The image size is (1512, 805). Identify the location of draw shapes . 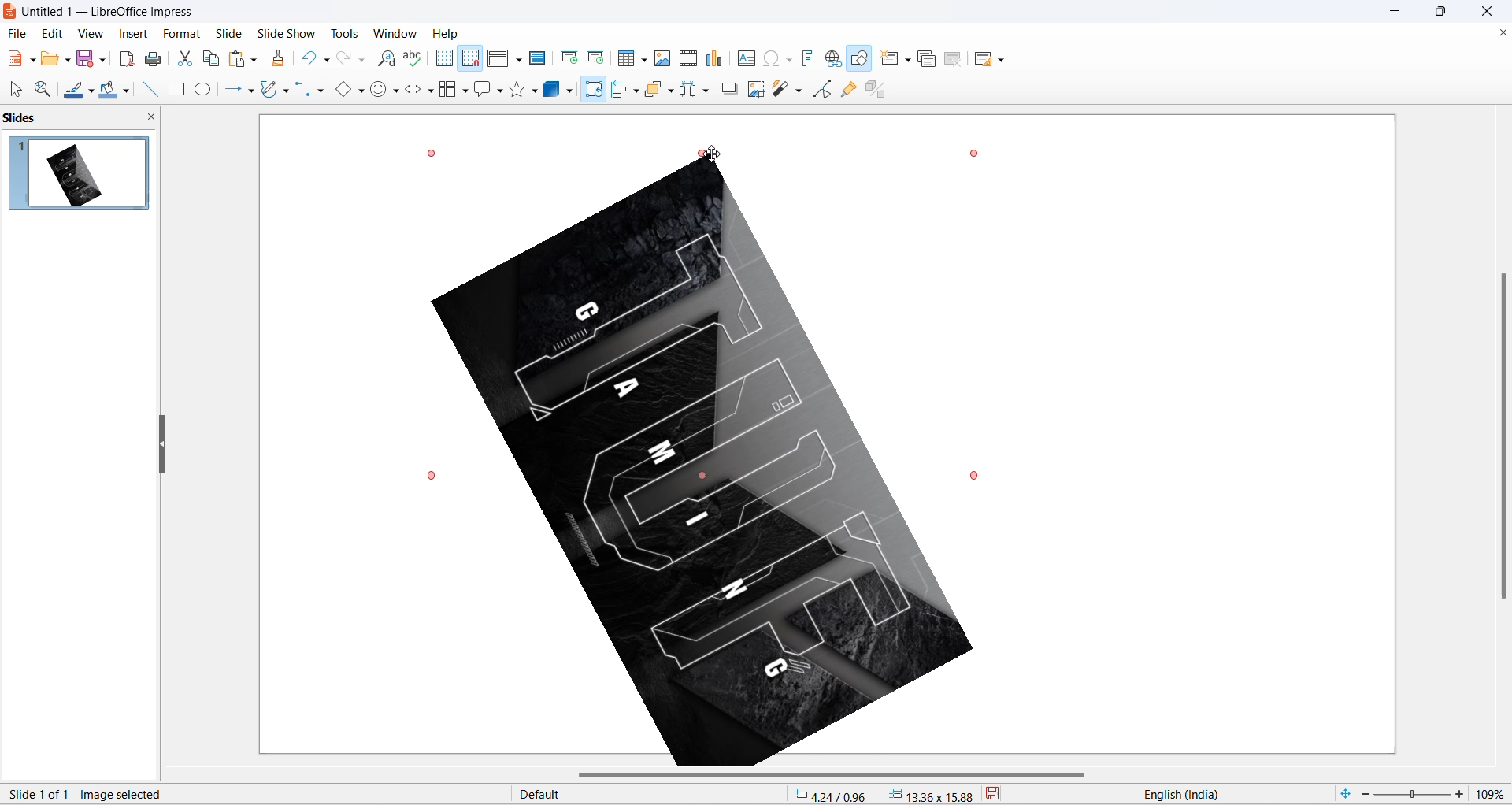
(861, 59).